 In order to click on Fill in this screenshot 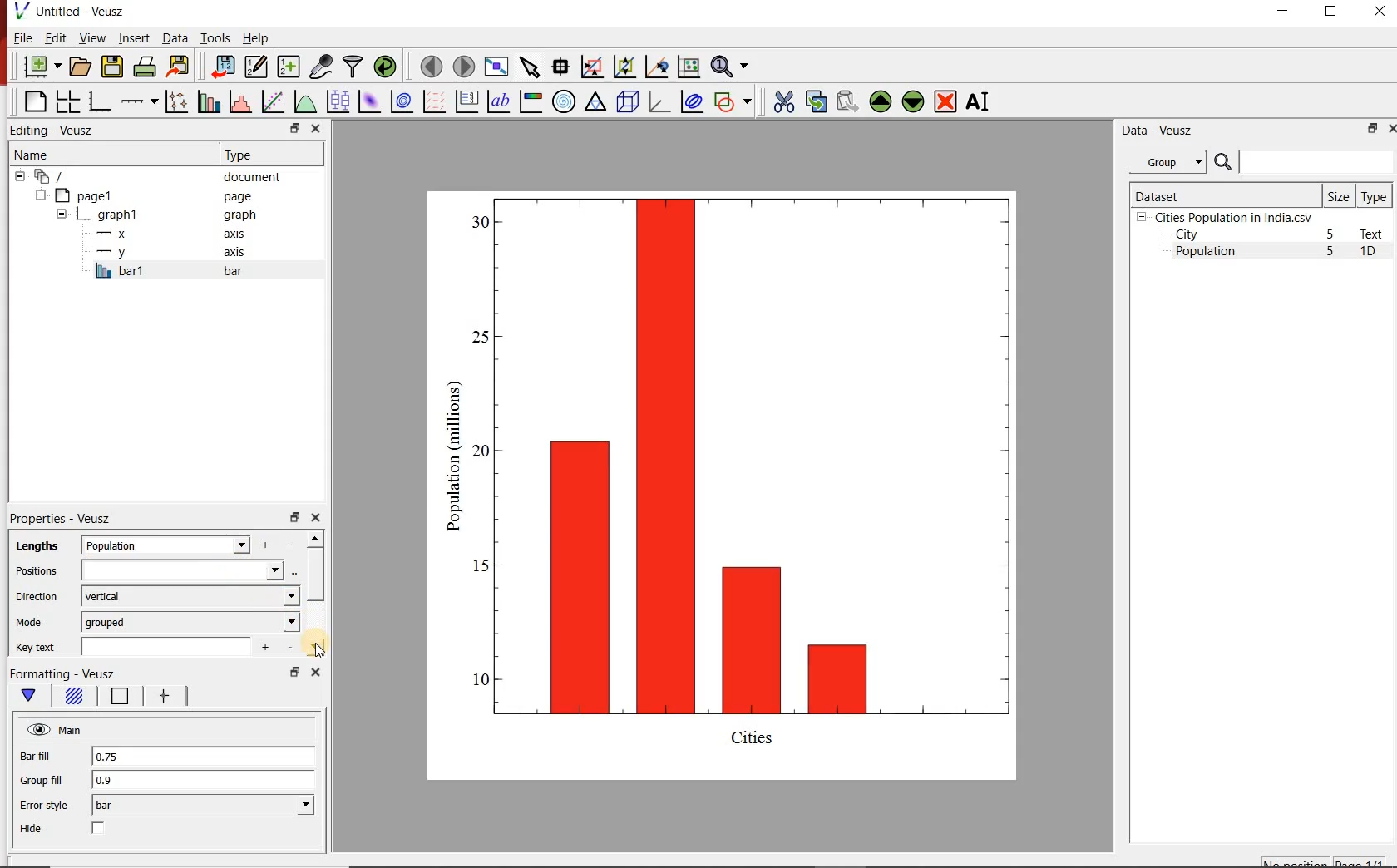, I will do `click(73, 698)`.